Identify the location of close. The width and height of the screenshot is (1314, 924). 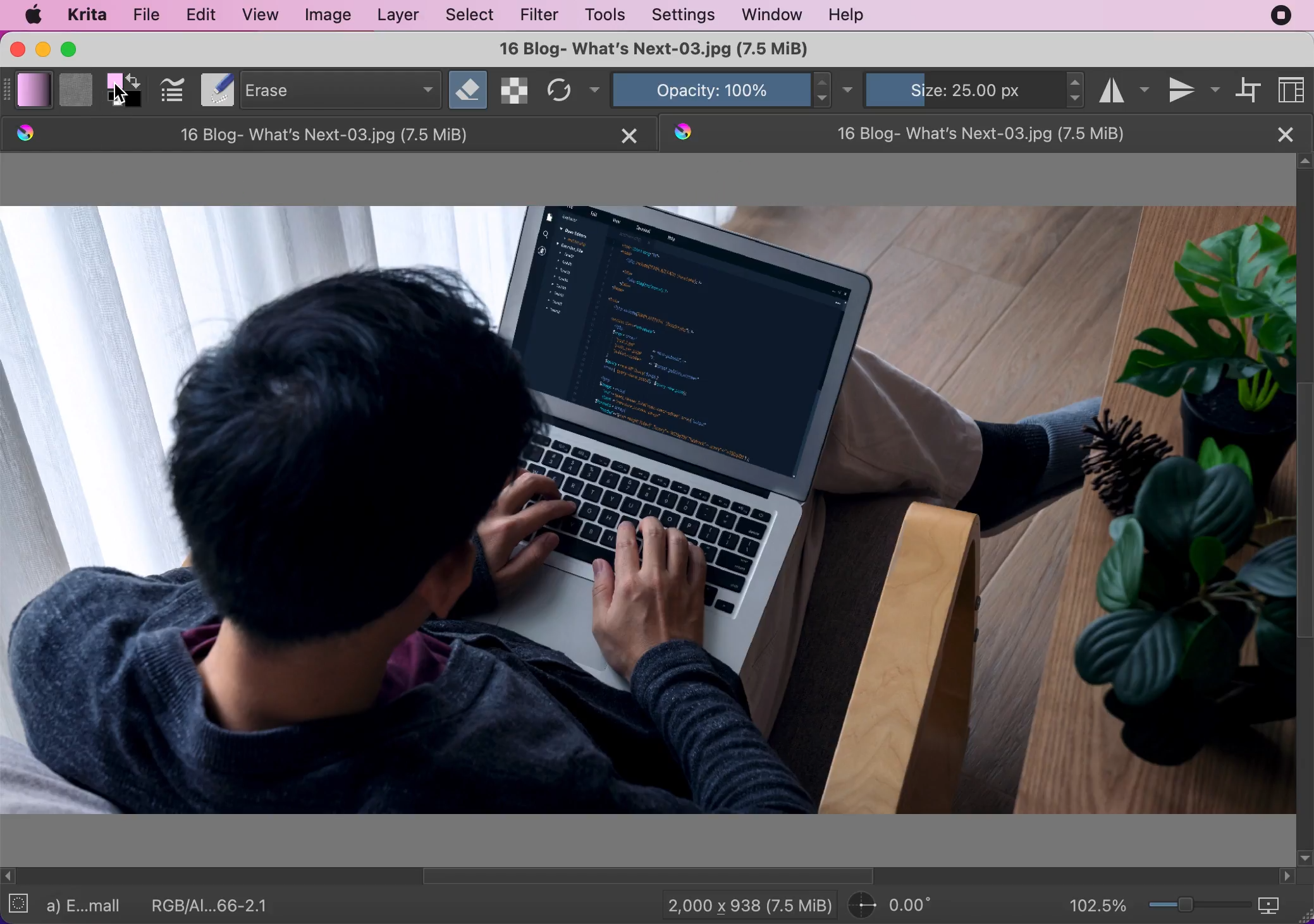
(1288, 134).